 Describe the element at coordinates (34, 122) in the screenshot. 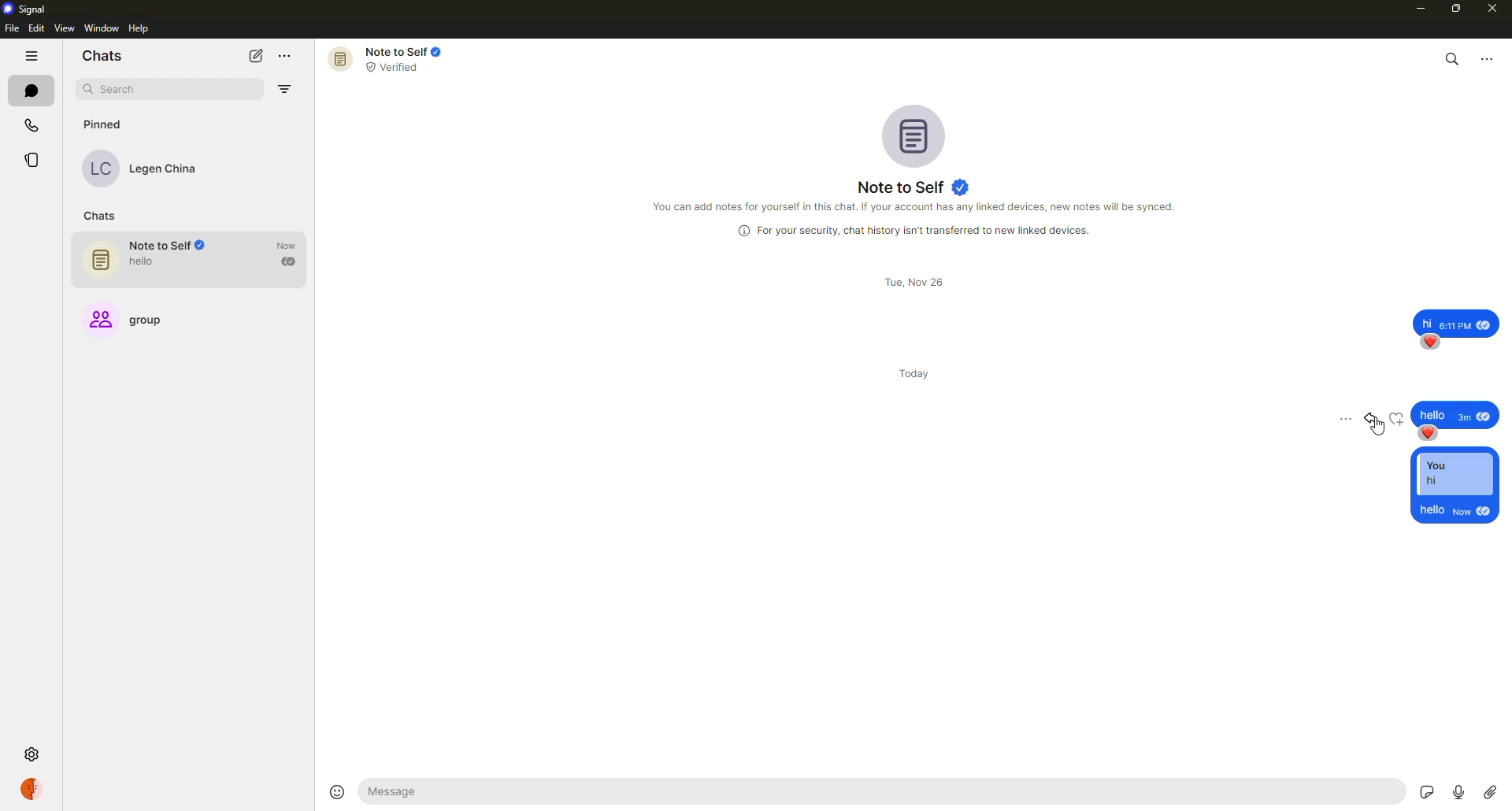

I see `calls` at that location.